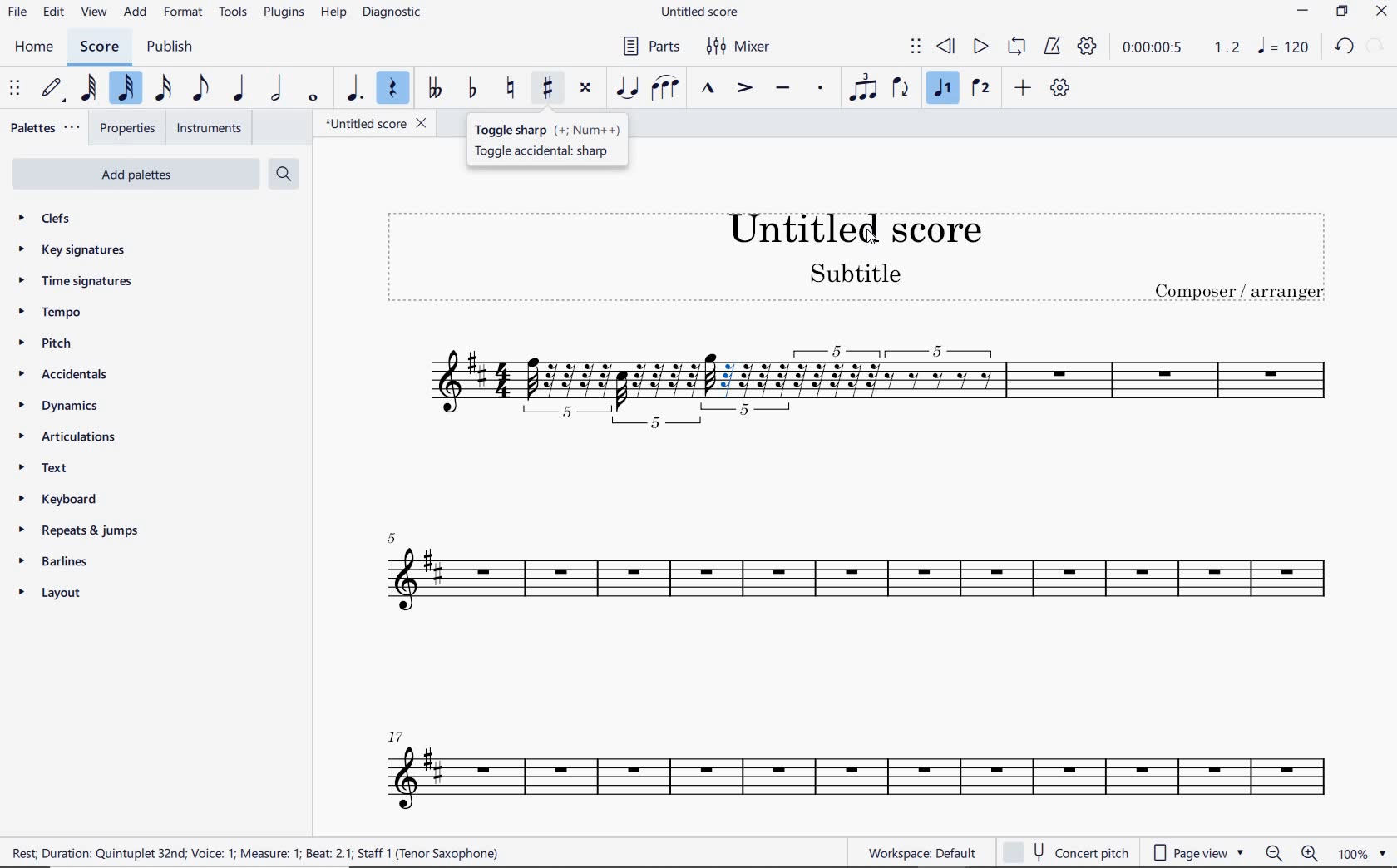 This screenshot has height=868, width=1397. Describe the element at coordinates (58, 220) in the screenshot. I see `CLEFS` at that location.